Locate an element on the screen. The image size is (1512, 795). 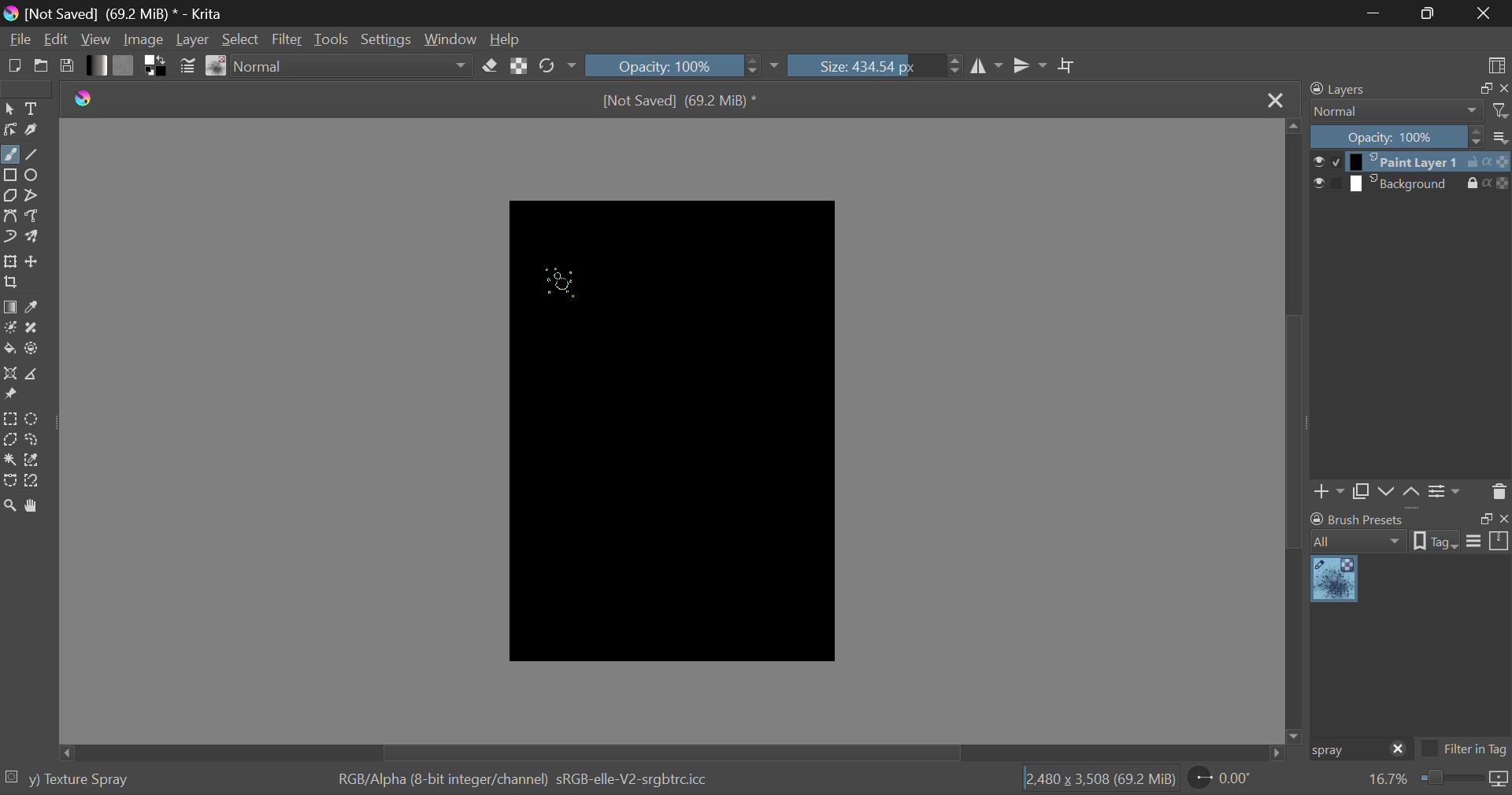
Polygon Selection is located at coordinates (10, 438).